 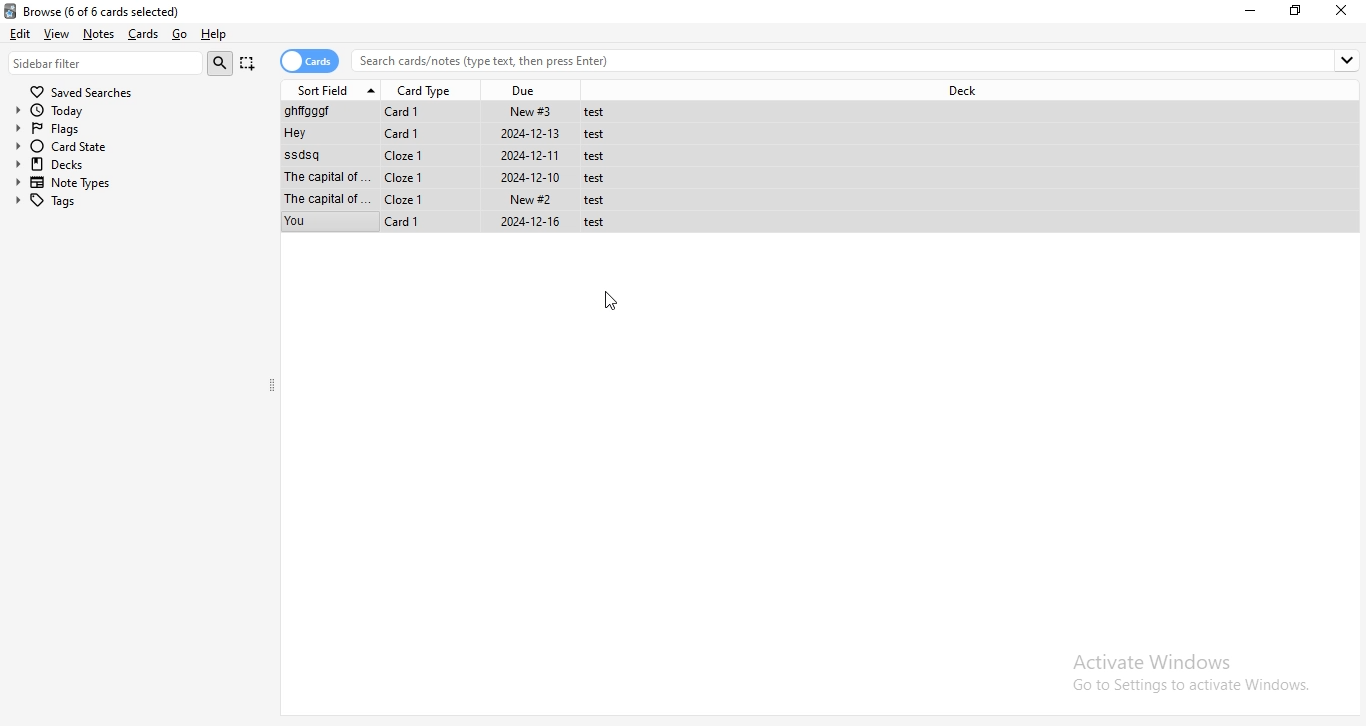 I want to click on collapse, so click(x=273, y=387).